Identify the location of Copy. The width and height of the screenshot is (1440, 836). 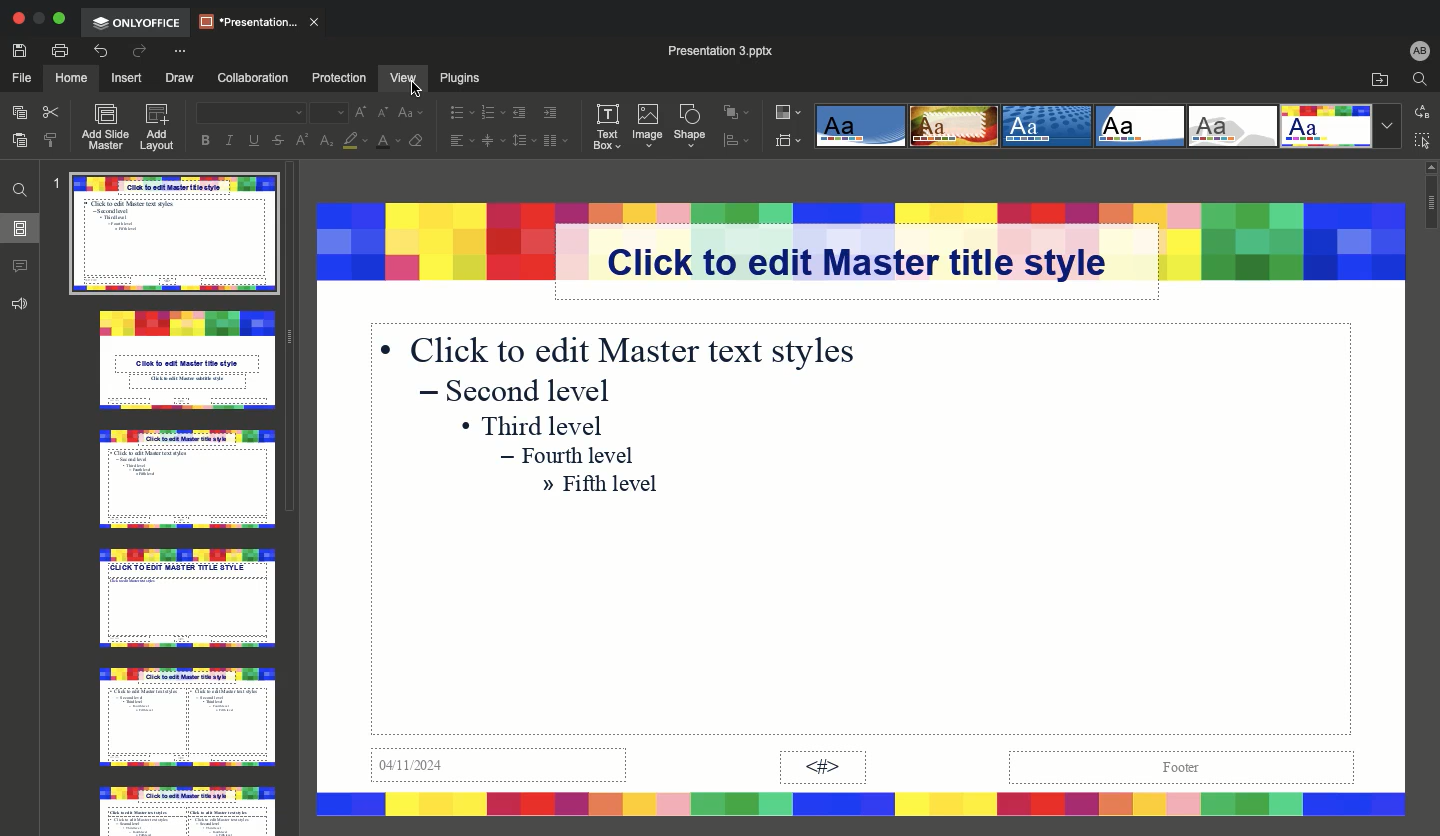
(19, 115).